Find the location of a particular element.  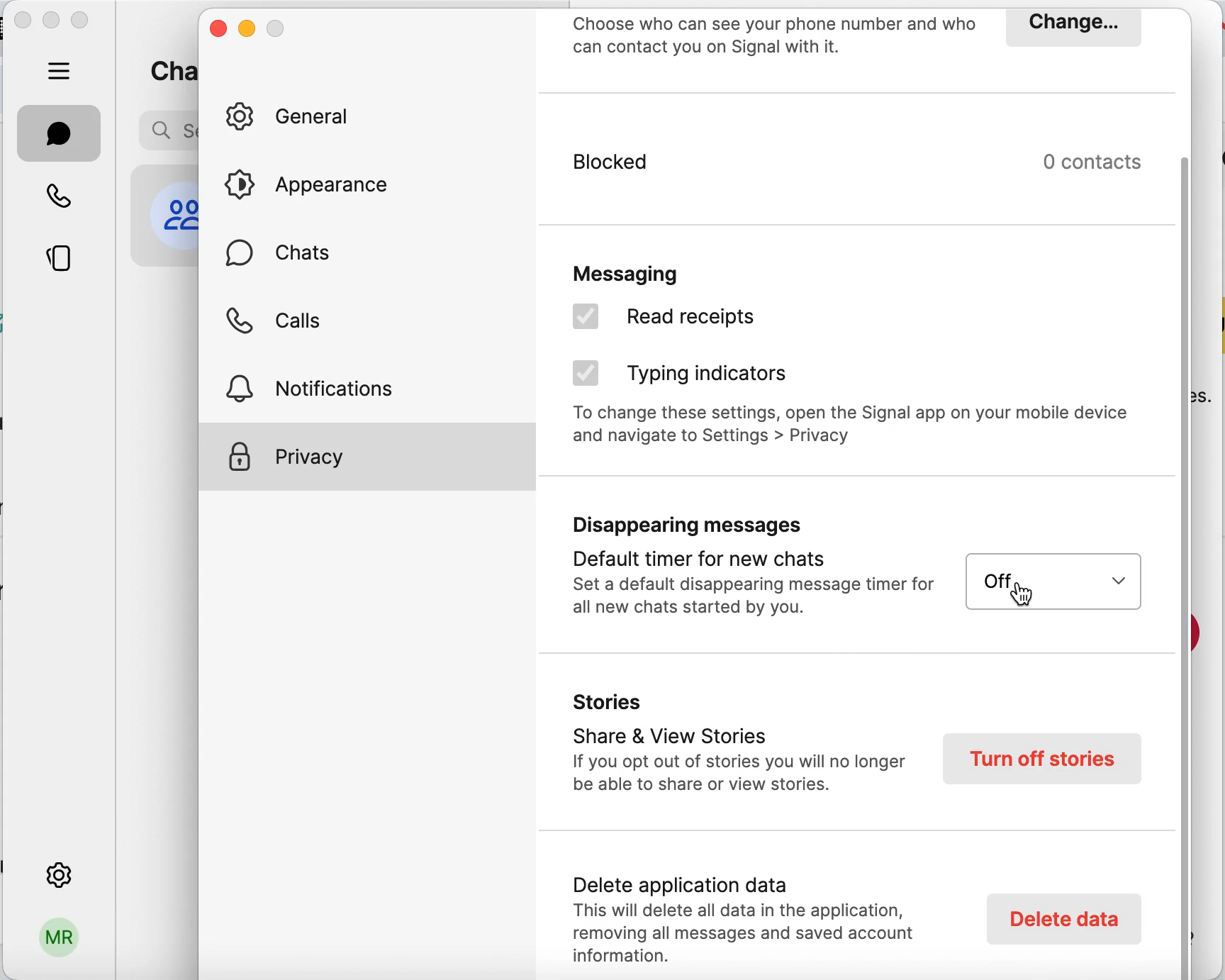

diappearing messages is located at coordinates (747, 570).